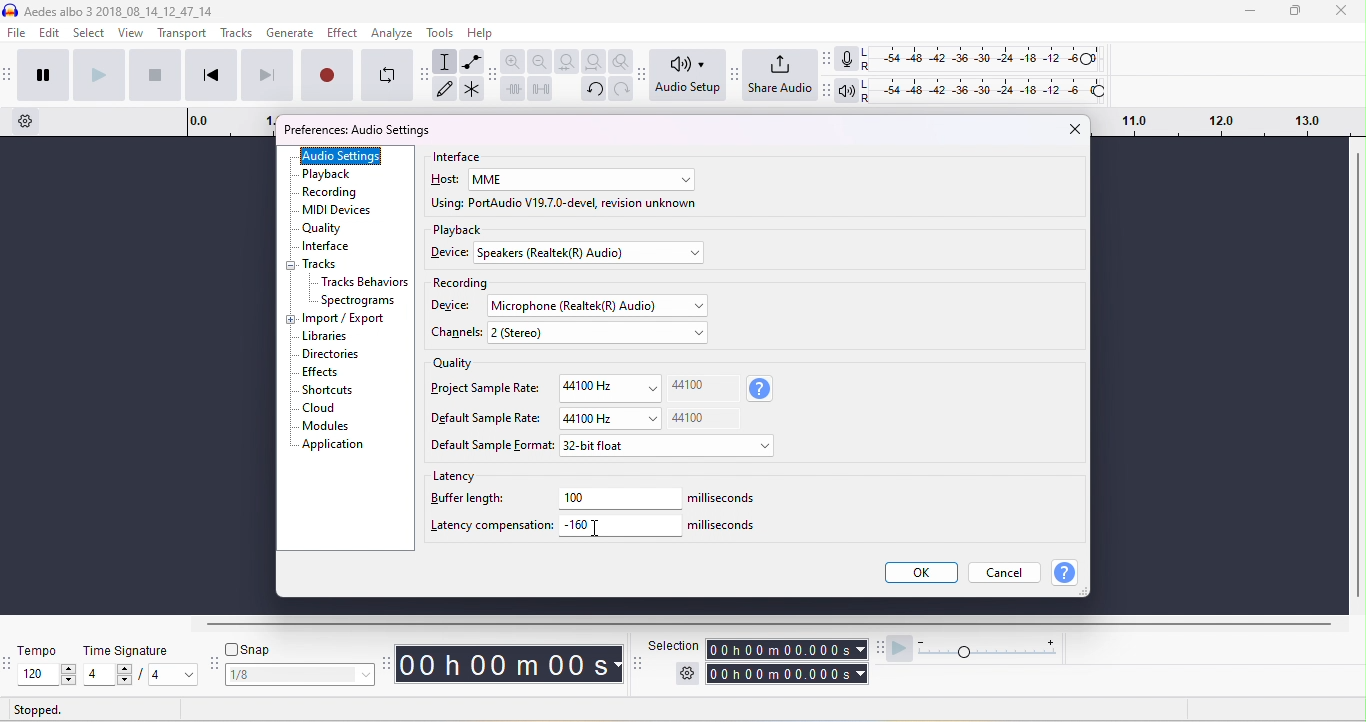 The image size is (1366, 722). I want to click on selection toolbar, so click(637, 662).